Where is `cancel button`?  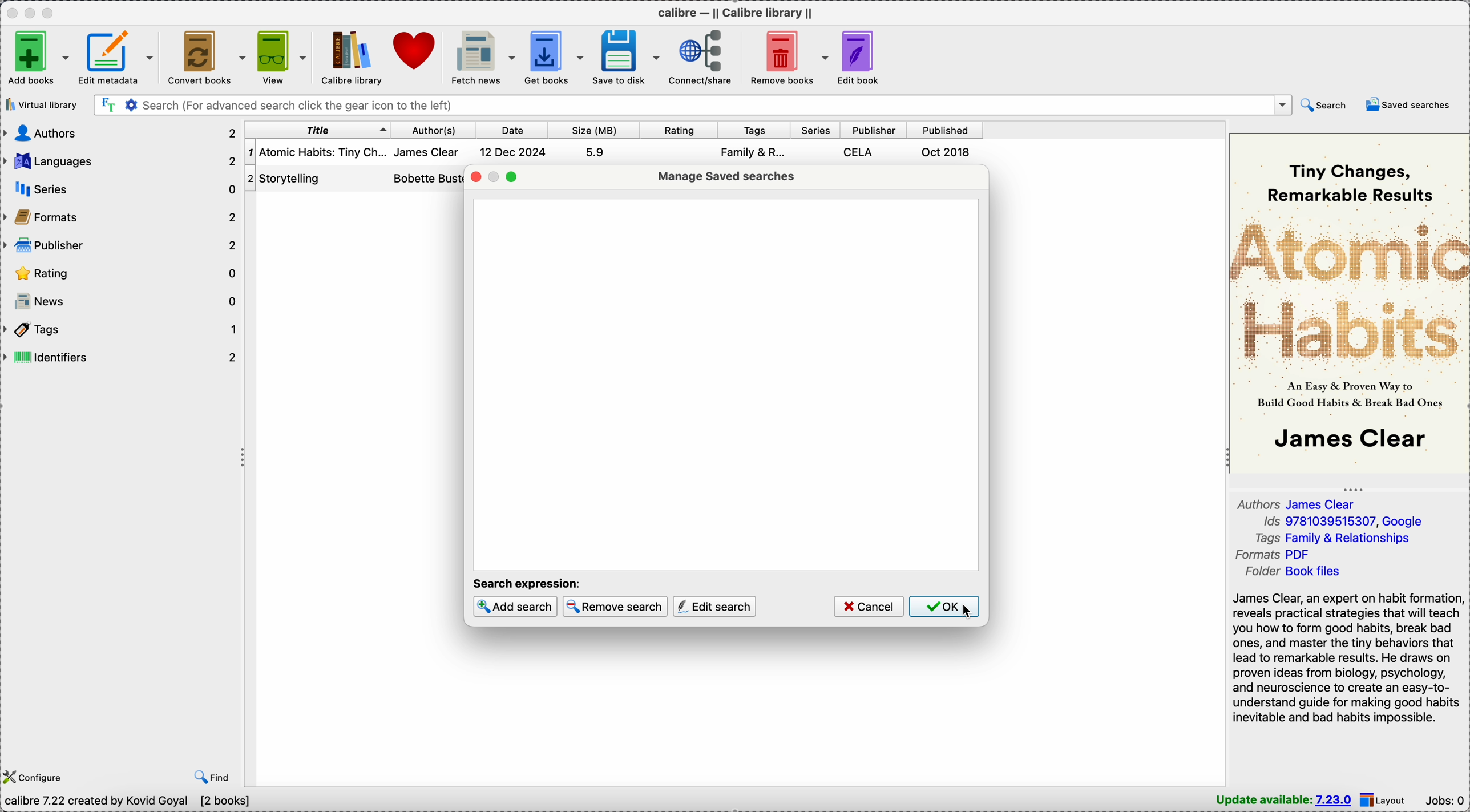
cancel button is located at coordinates (868, 607).